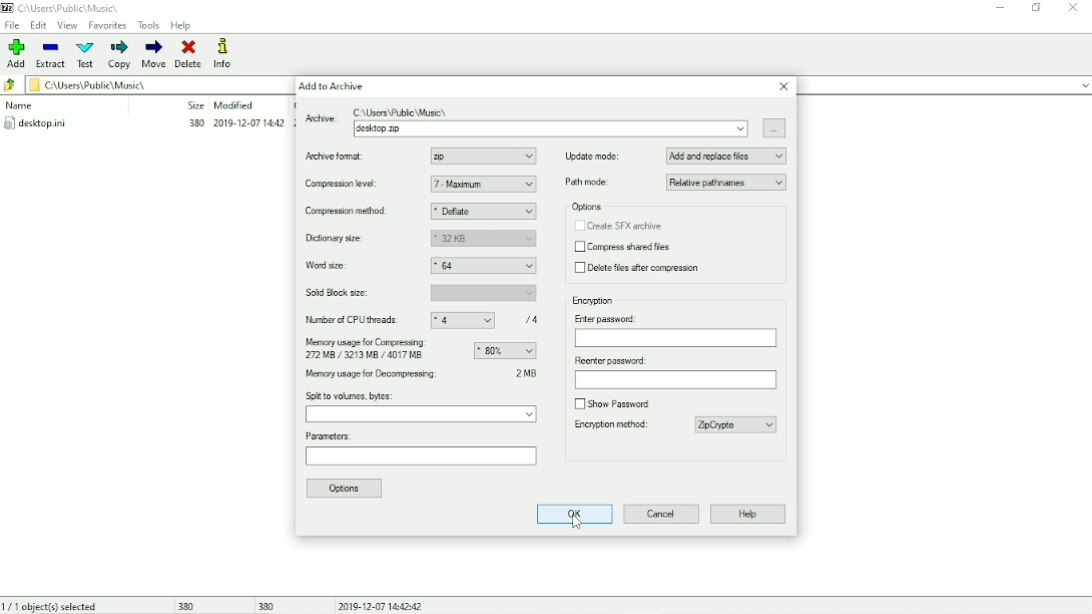 This screenshot has height=614, width=1092. I want to click on Cursor, so click(579, 523).